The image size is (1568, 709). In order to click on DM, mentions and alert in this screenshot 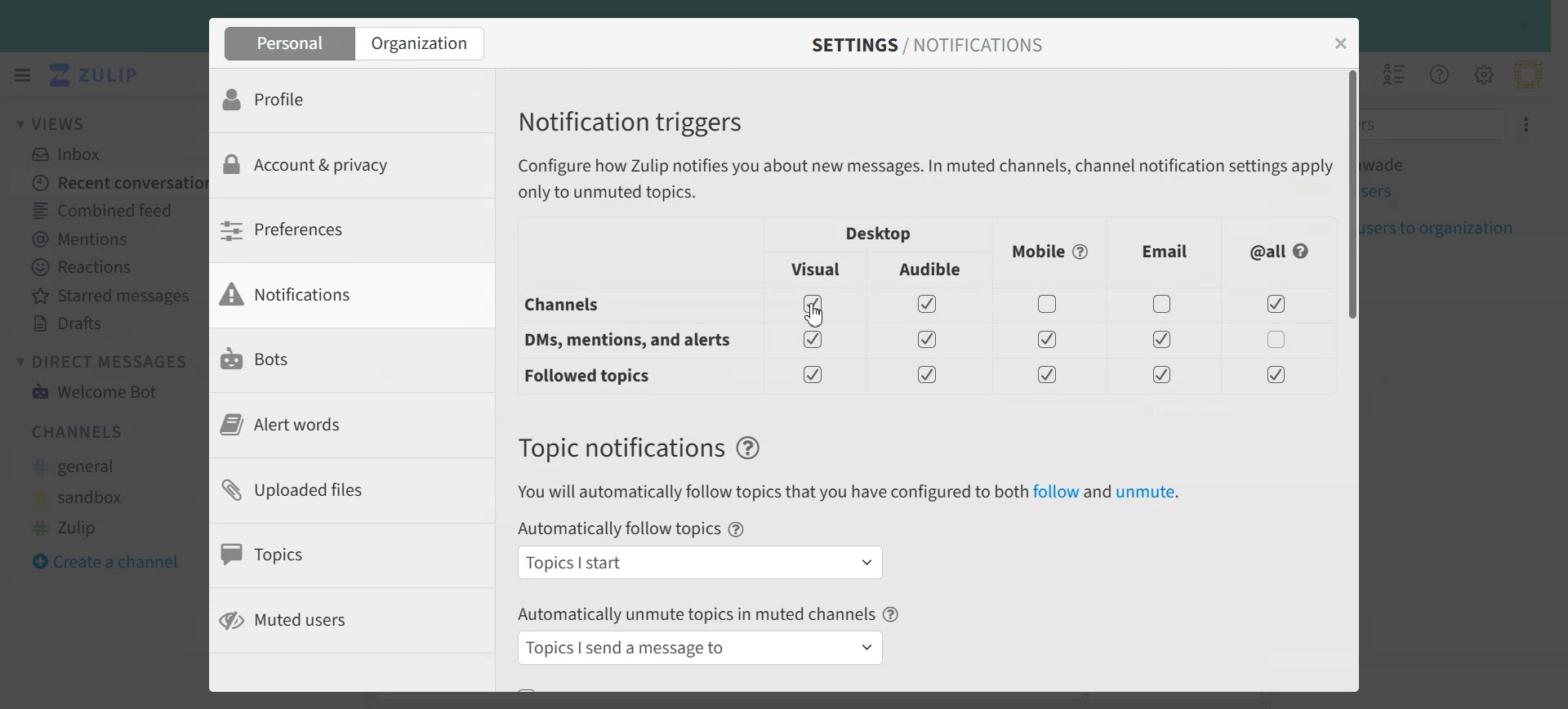, I will do `click(624, 341)`.